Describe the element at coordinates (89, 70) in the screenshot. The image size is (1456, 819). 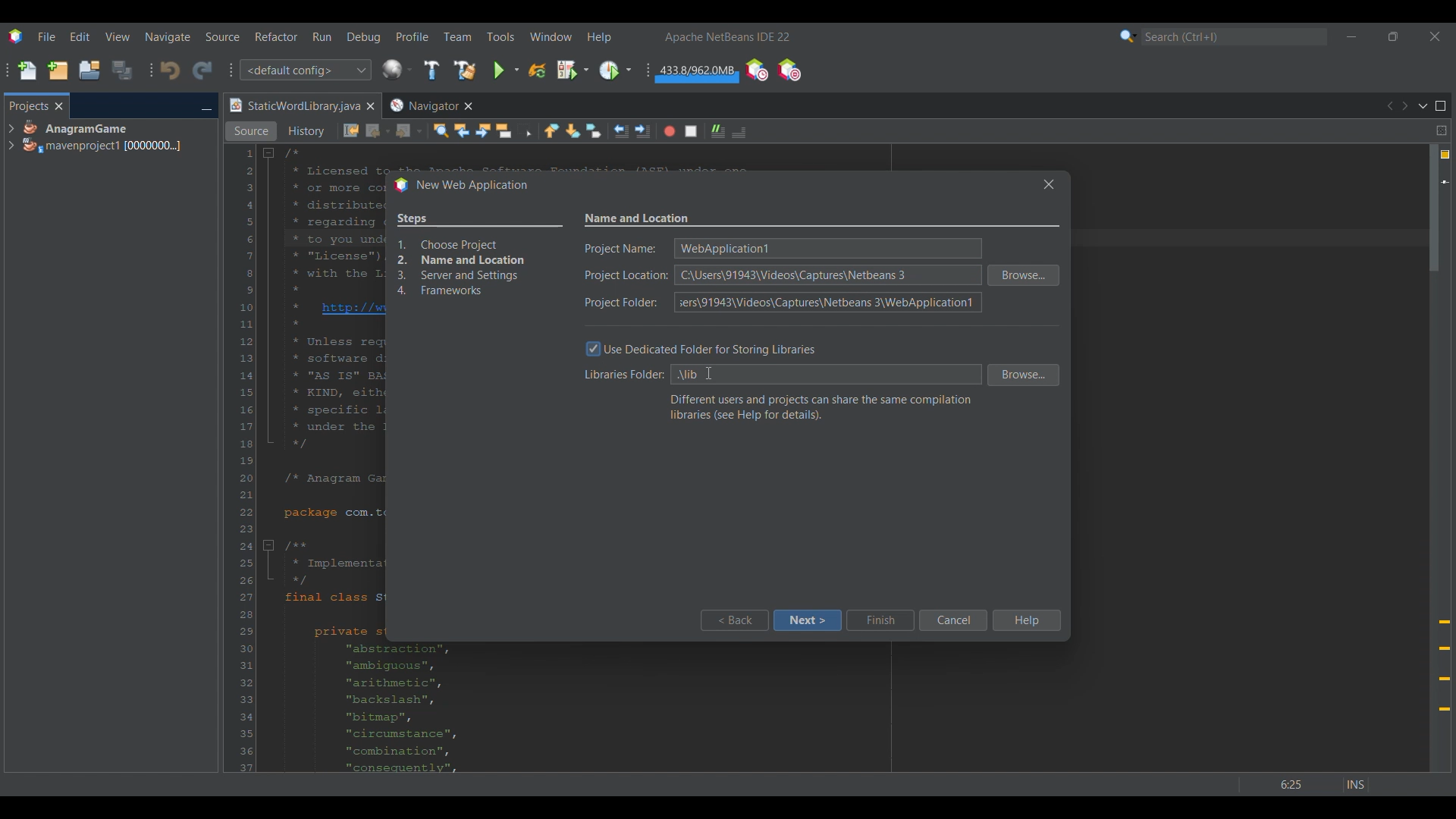
I see `Open project` at that location.